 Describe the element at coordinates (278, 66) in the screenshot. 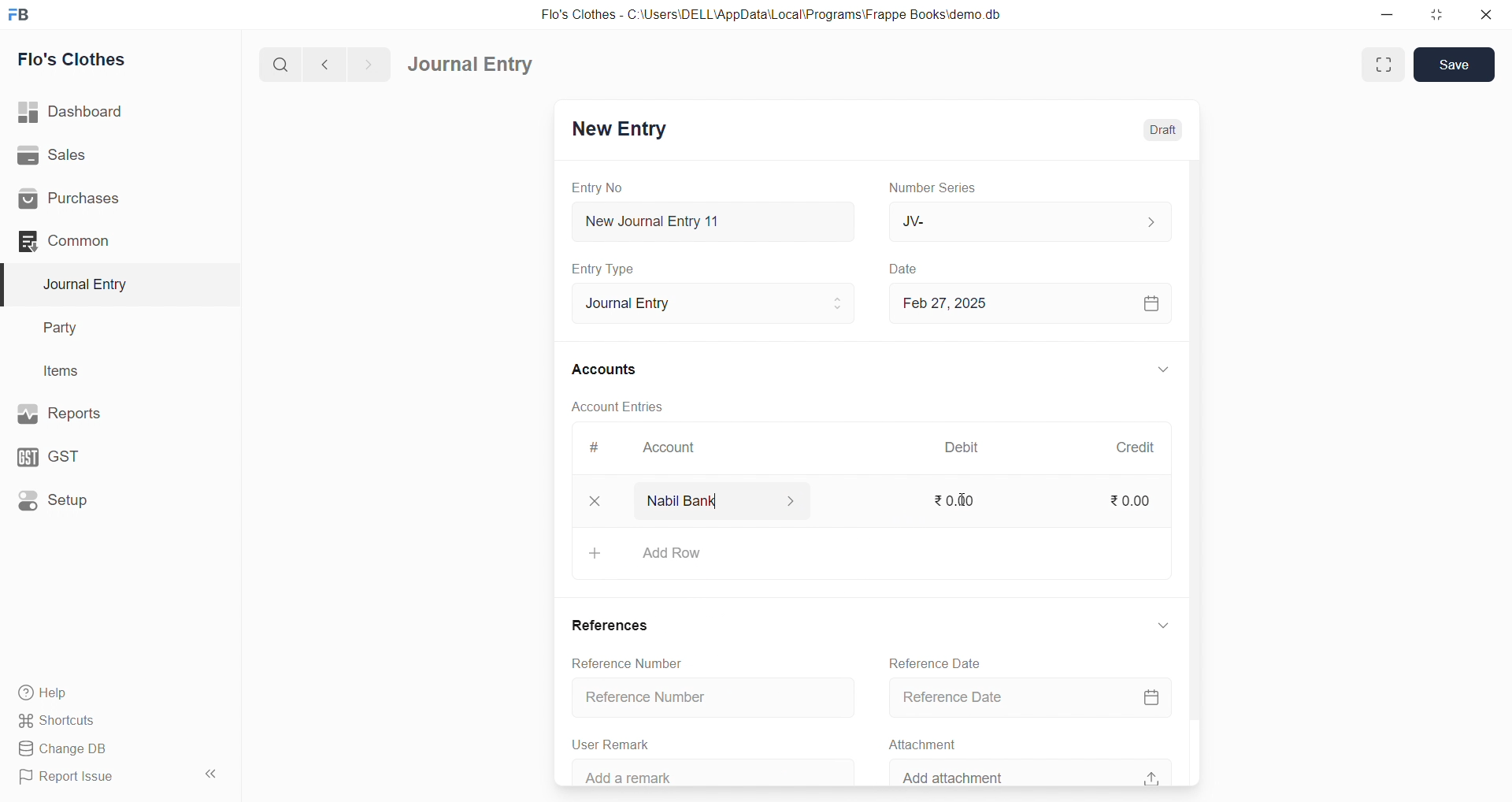

I see `search` at that location.